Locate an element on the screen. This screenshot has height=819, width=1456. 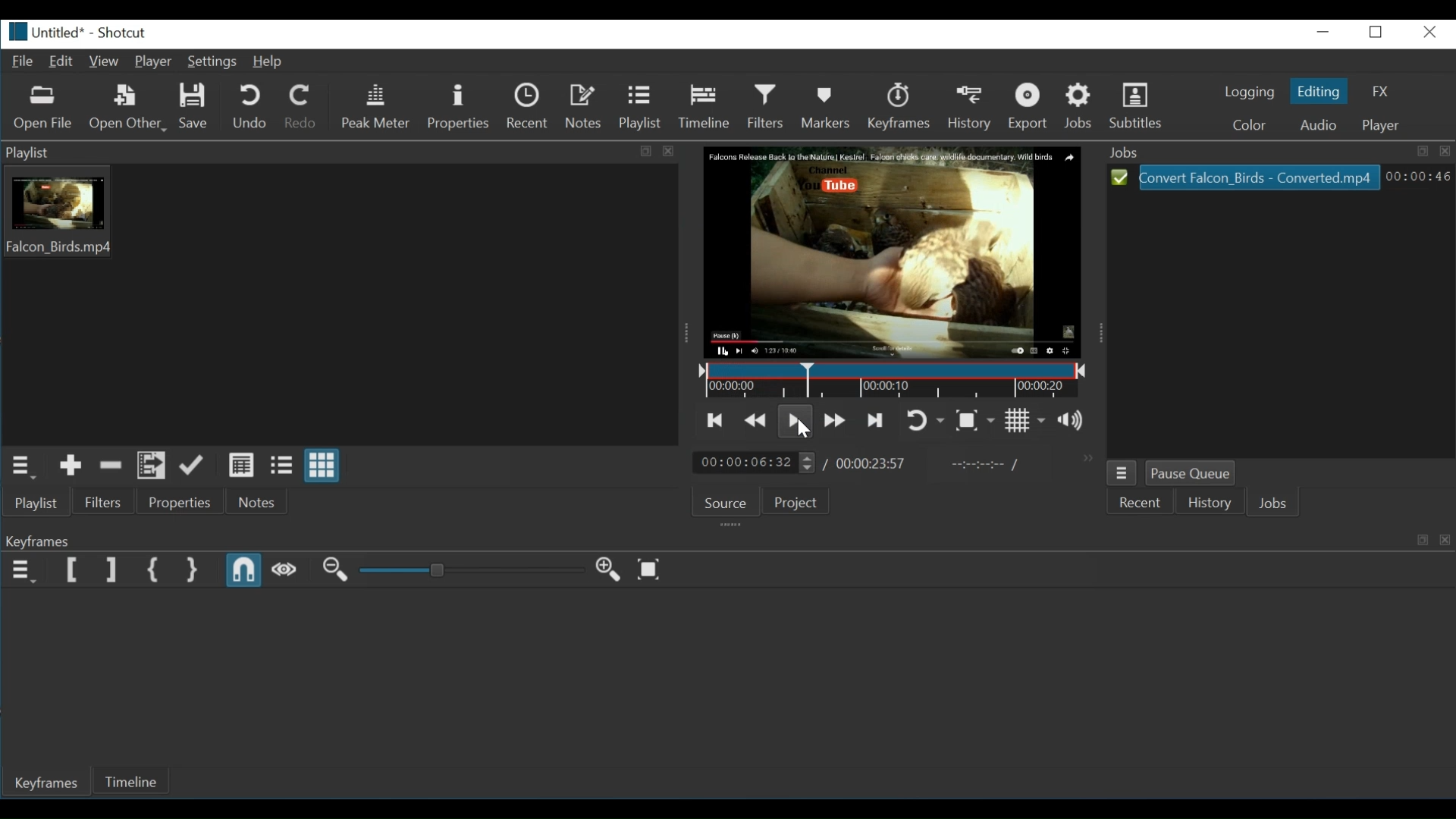
00:00:30 is located at coordinates (1420, 177).